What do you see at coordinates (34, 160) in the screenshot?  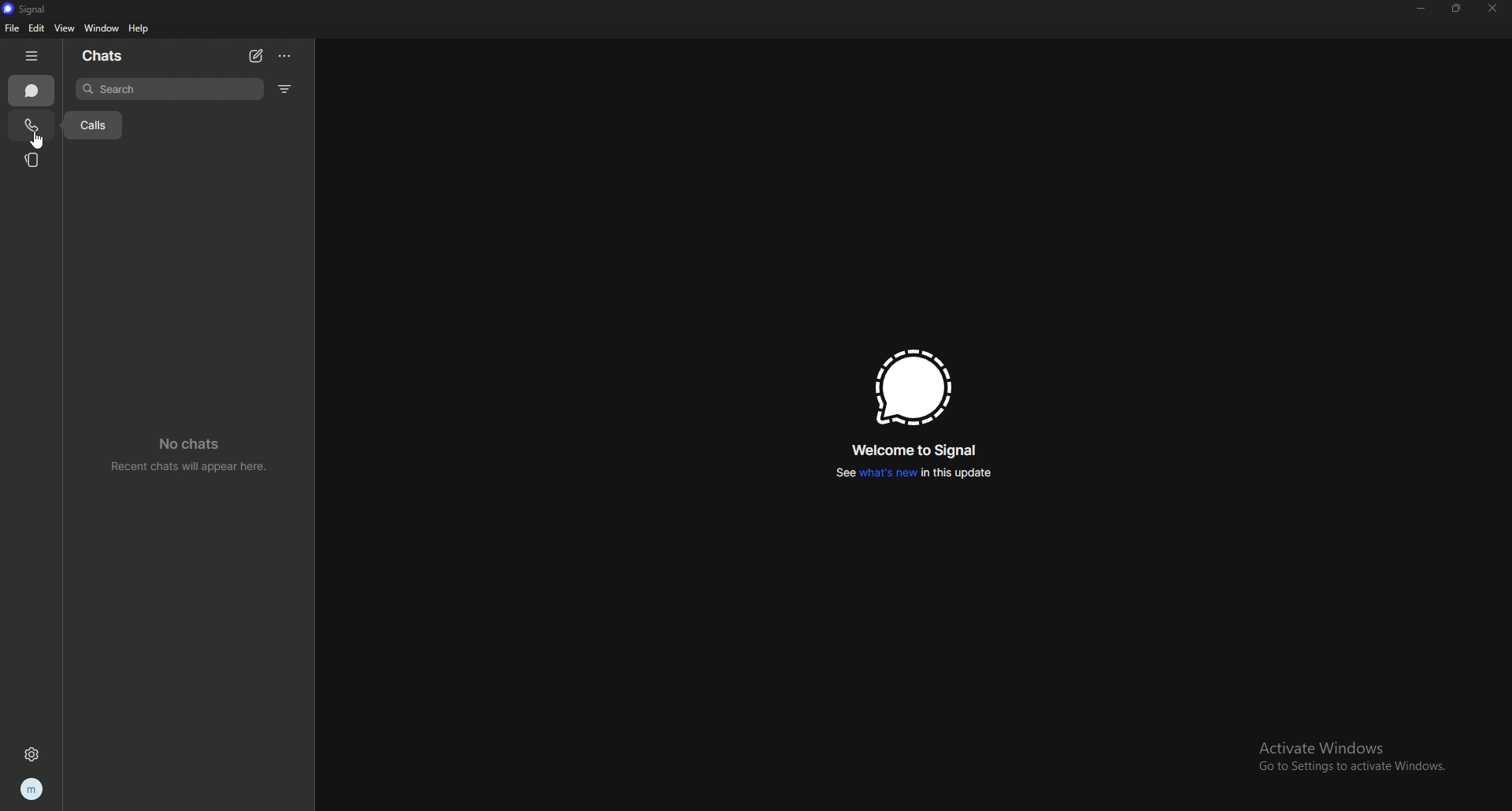 I see `stories` at bounding box center [34, 160].